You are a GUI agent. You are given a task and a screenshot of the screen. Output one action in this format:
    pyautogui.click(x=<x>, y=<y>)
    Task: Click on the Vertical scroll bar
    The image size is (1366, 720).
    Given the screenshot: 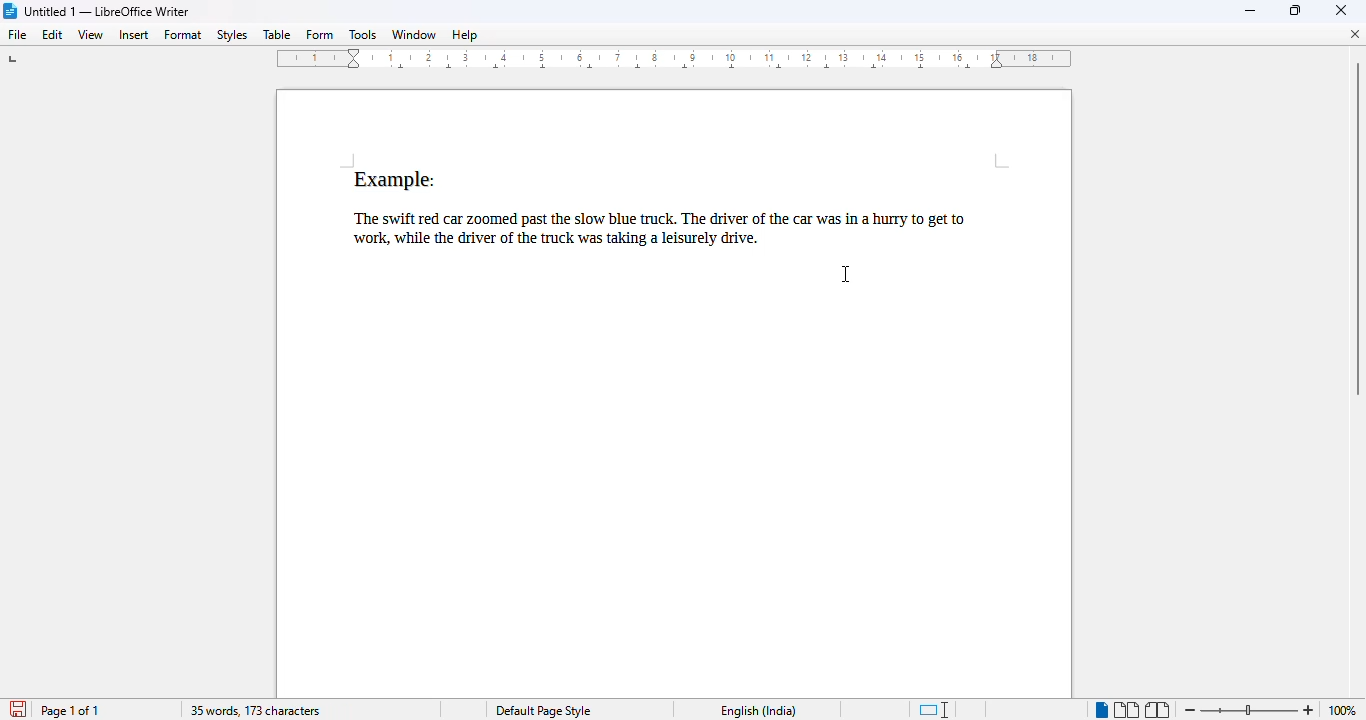 What is the action you would take?
    pyautogui.click(x=1357, y=229)
    